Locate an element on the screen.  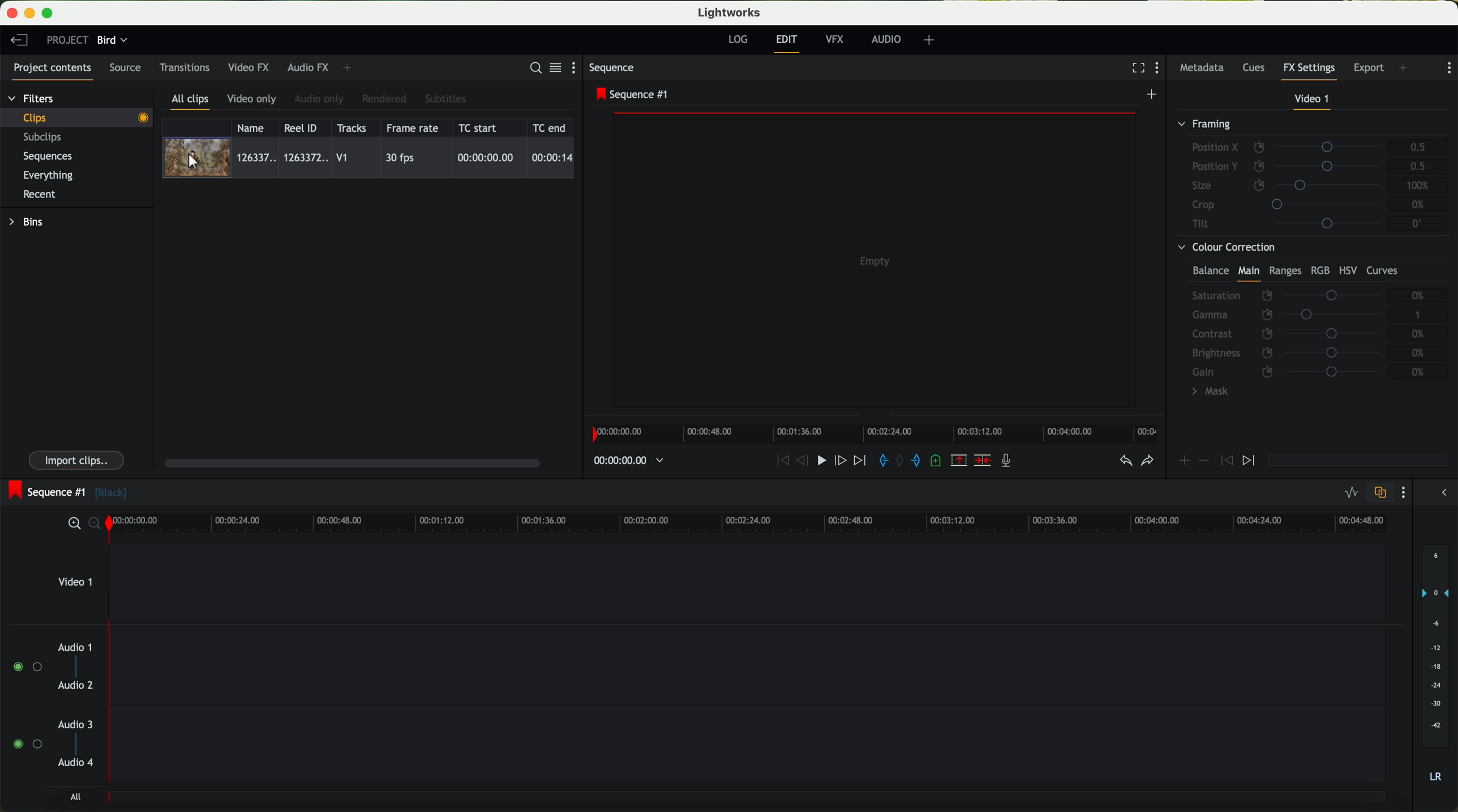
rendered is located at coordinates (385, 100).